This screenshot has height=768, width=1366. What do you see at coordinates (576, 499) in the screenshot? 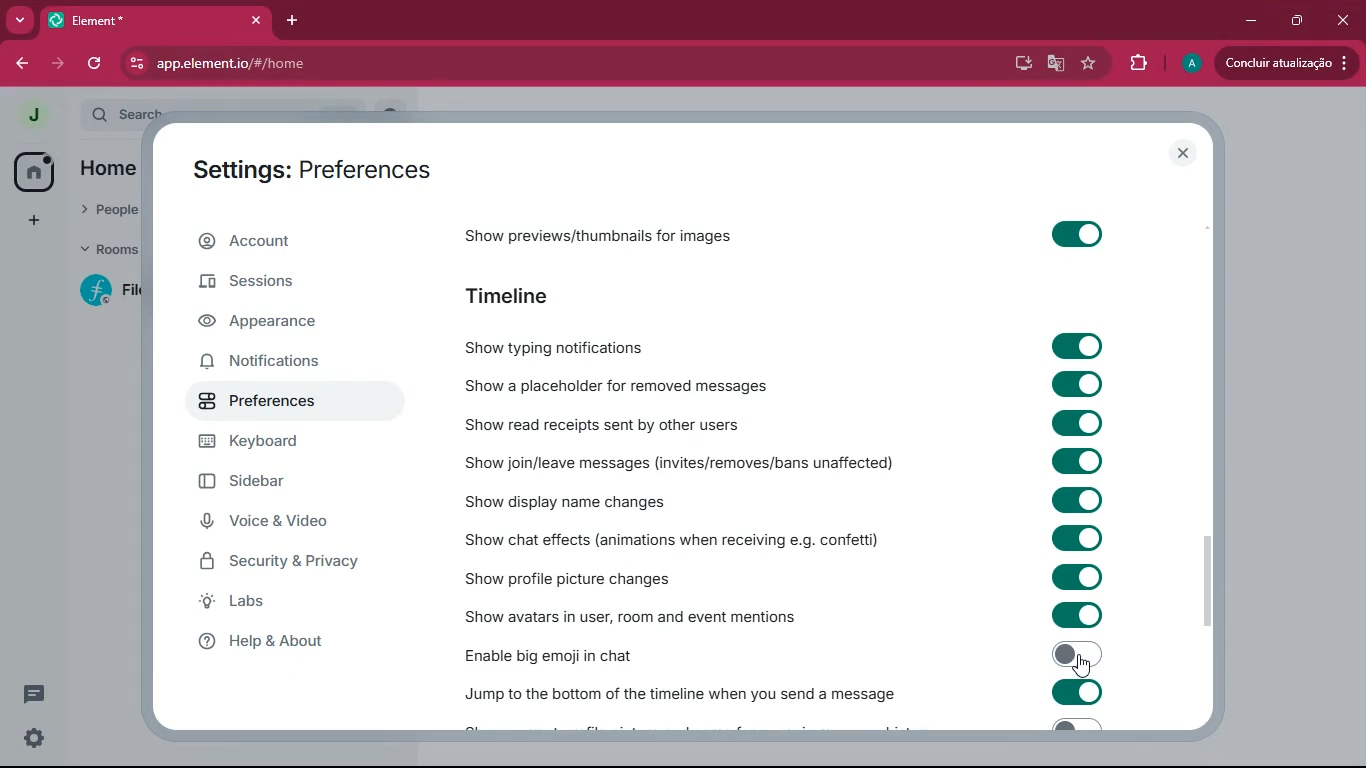
I see `show display name changes` at bounding box center [576, 499].